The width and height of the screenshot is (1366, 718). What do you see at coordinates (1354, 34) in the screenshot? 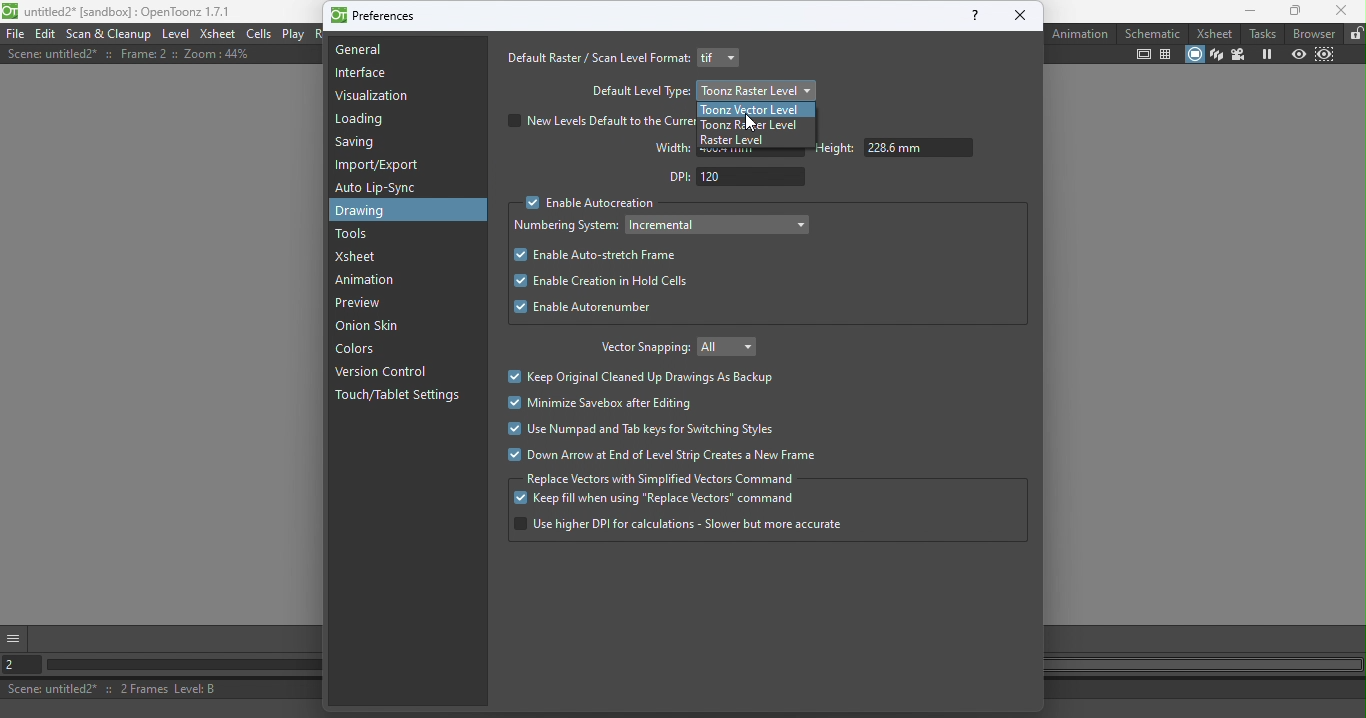
I see `Lock rooms tab` at bounding box center [1354, 34].